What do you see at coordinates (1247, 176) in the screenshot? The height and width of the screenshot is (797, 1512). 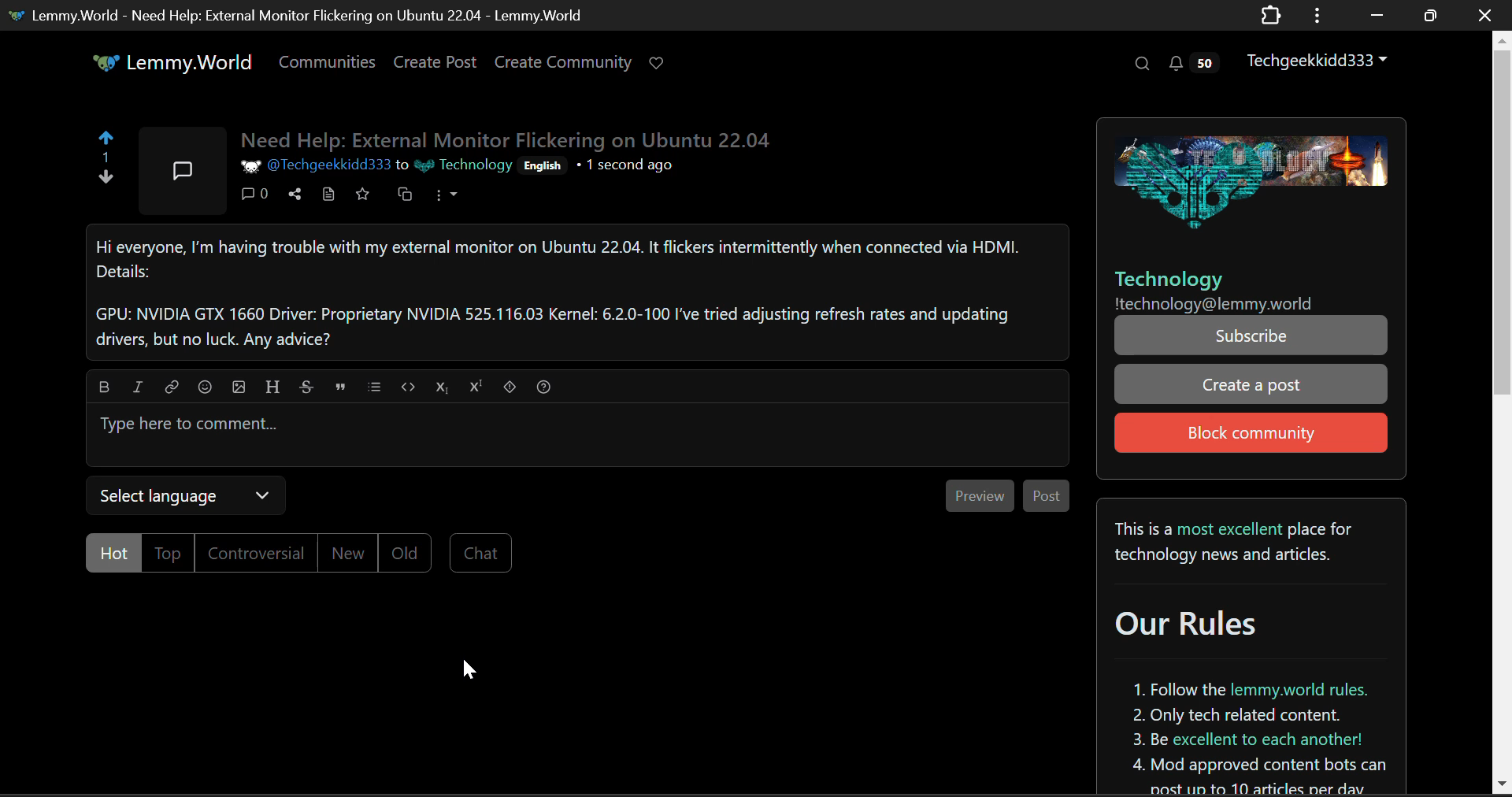 I see `Community Media` at bounding box center [1247, 176].